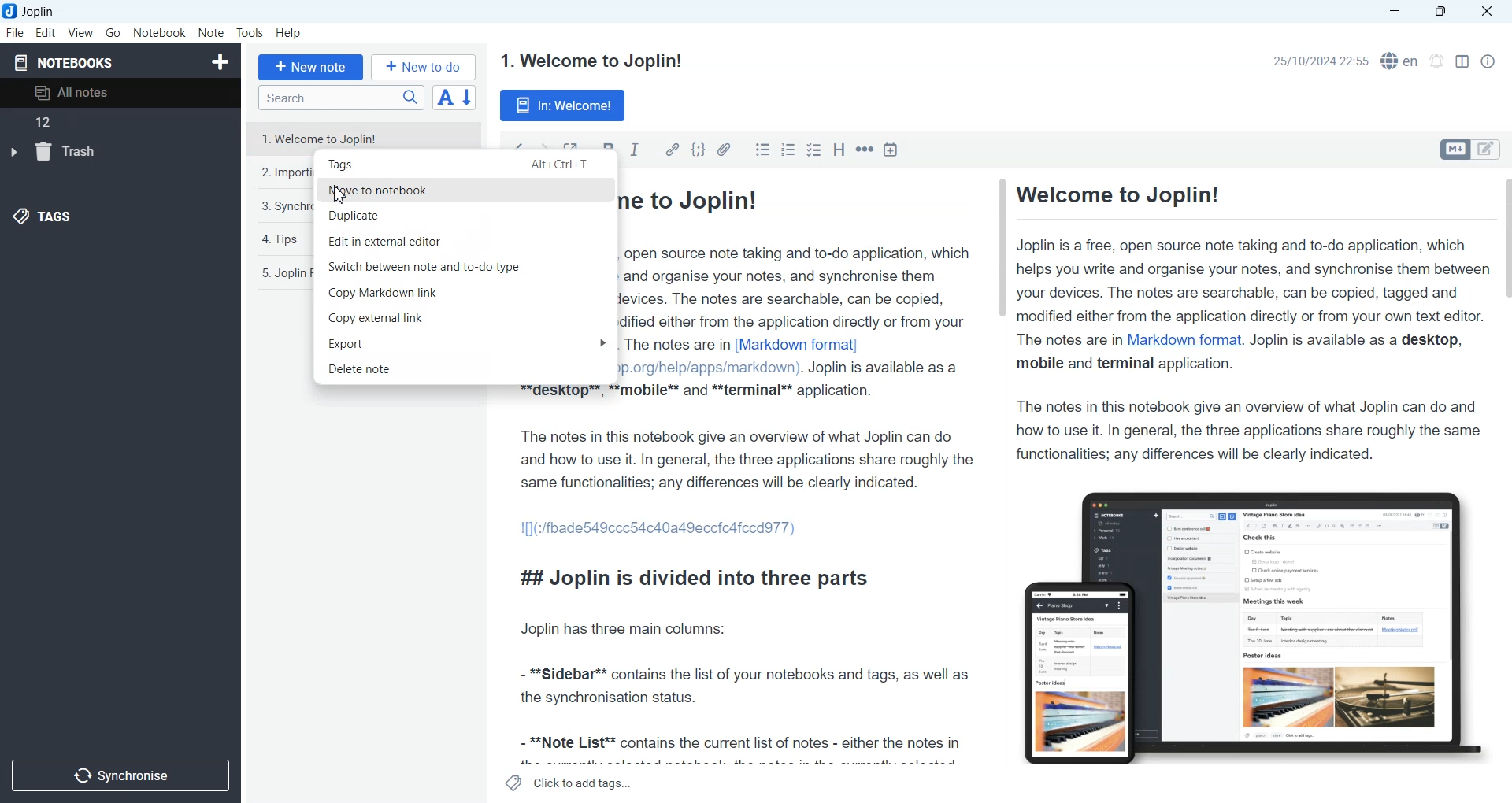 The width and height of the screenshot is (1512, 803). What do you see at coordinates (865, 150) in the screenshot?
I see `Horizontal rule` at bounding box center [865, 150].